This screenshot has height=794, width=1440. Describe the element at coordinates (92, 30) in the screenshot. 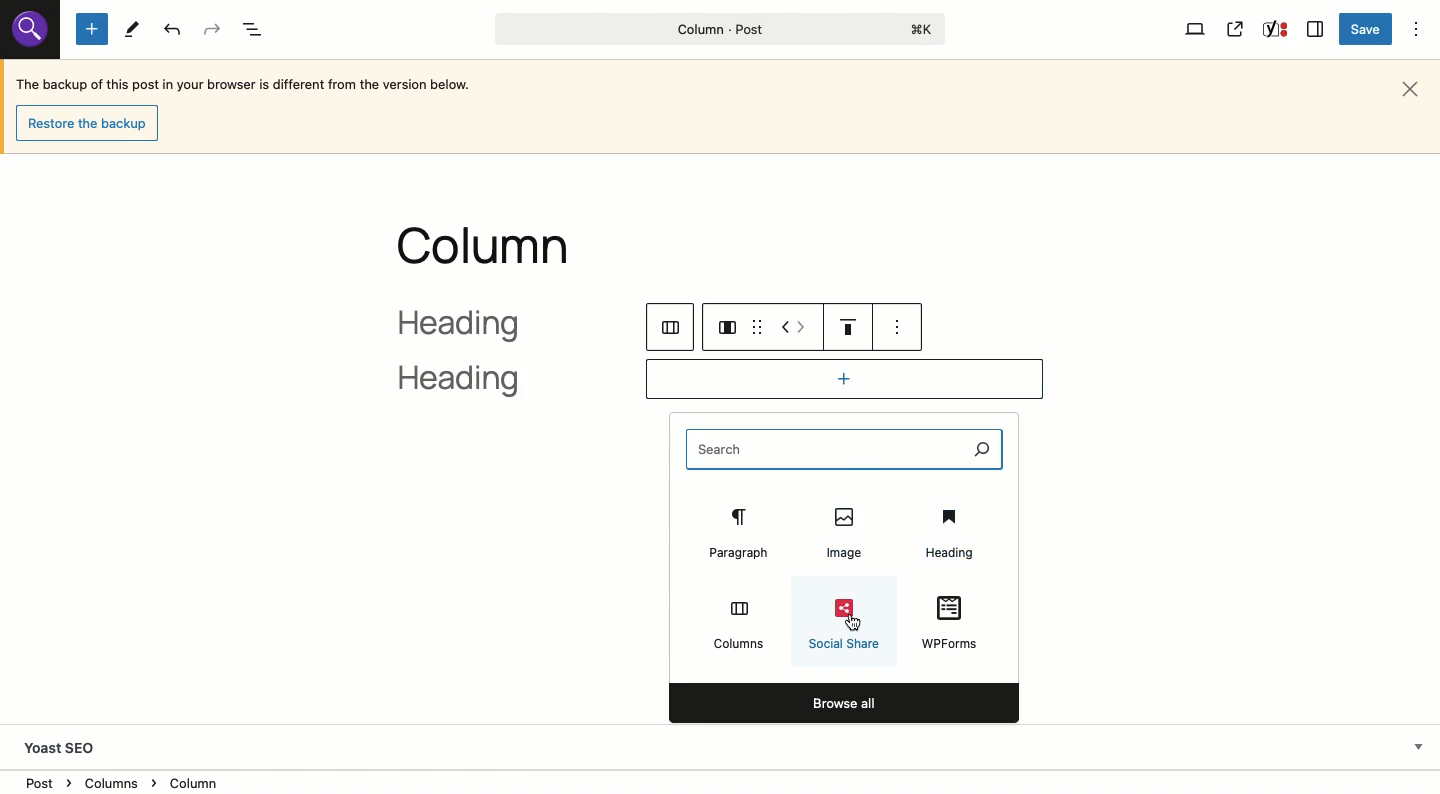

I see `Add new block` at that location.